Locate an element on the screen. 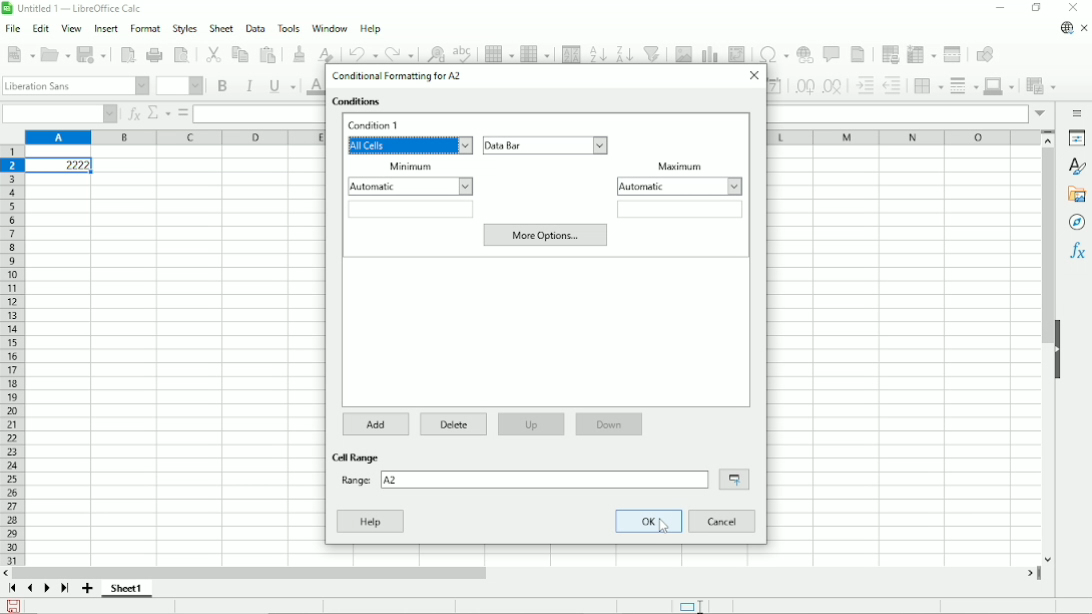 This screenshot has width=1092, height=614. Insert is located at coordinates (107, 28).